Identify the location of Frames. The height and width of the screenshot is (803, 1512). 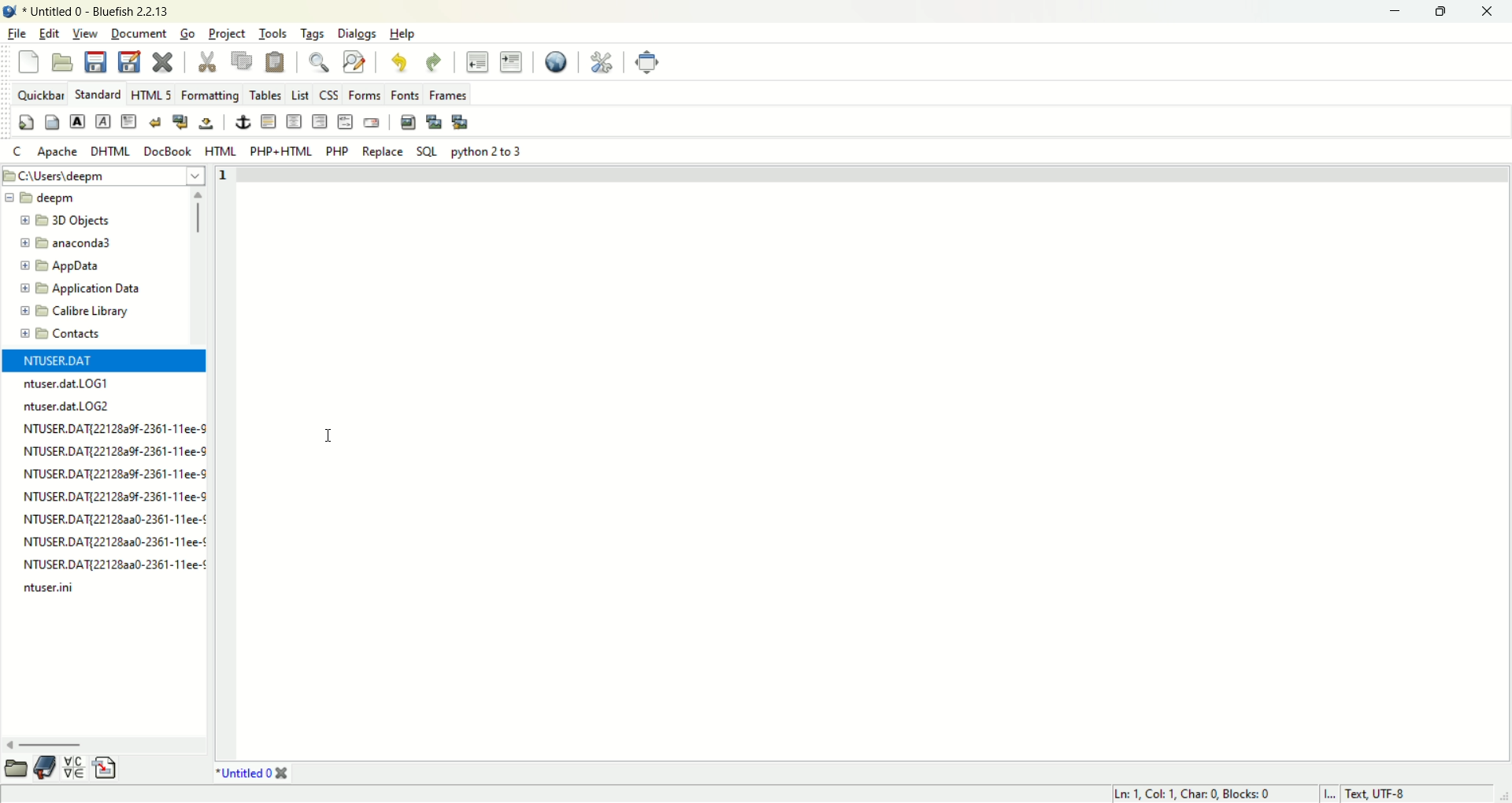
(447, 95).